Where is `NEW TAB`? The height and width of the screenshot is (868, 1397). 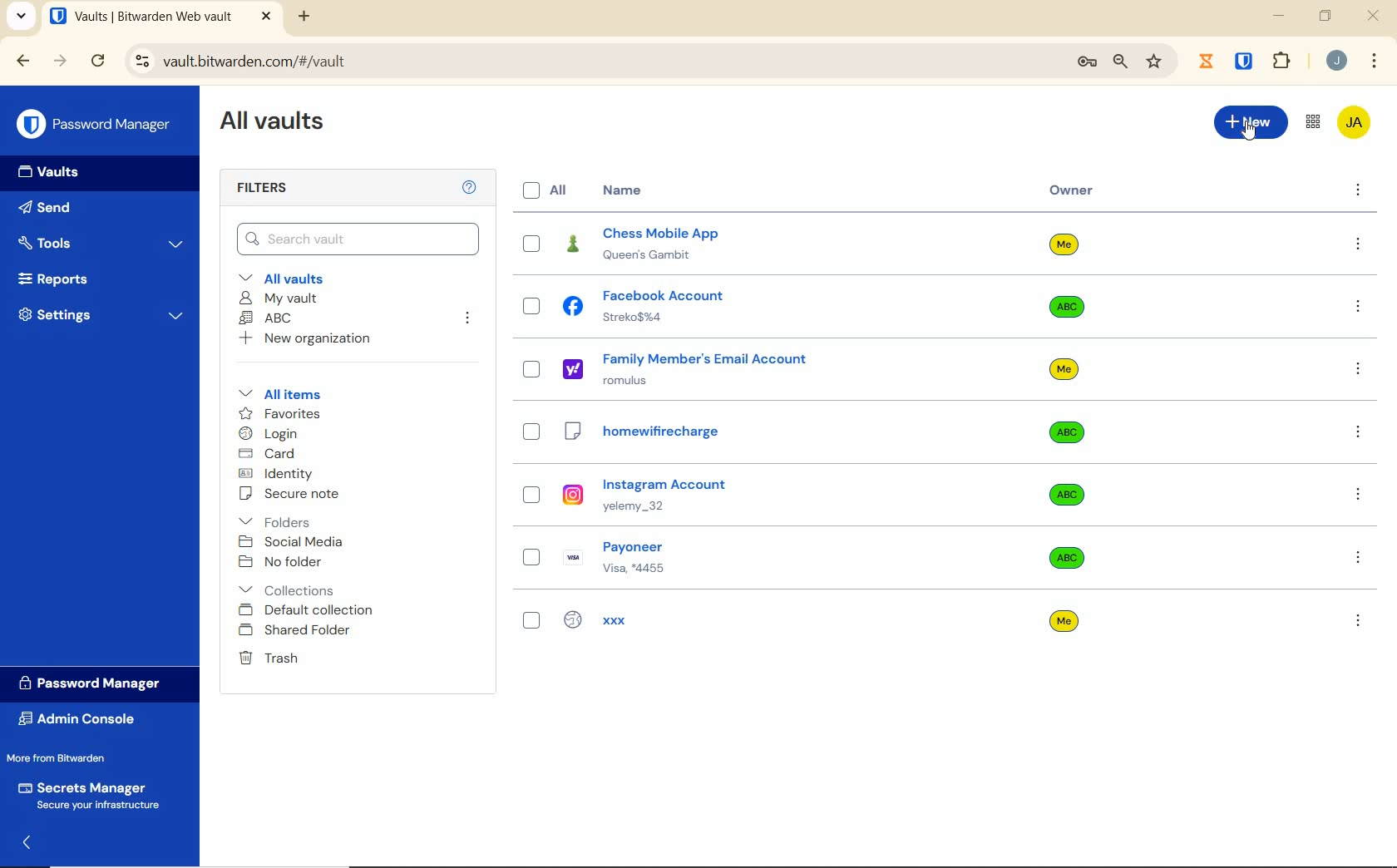
NEW TAB is located at coordinates (306, 17).